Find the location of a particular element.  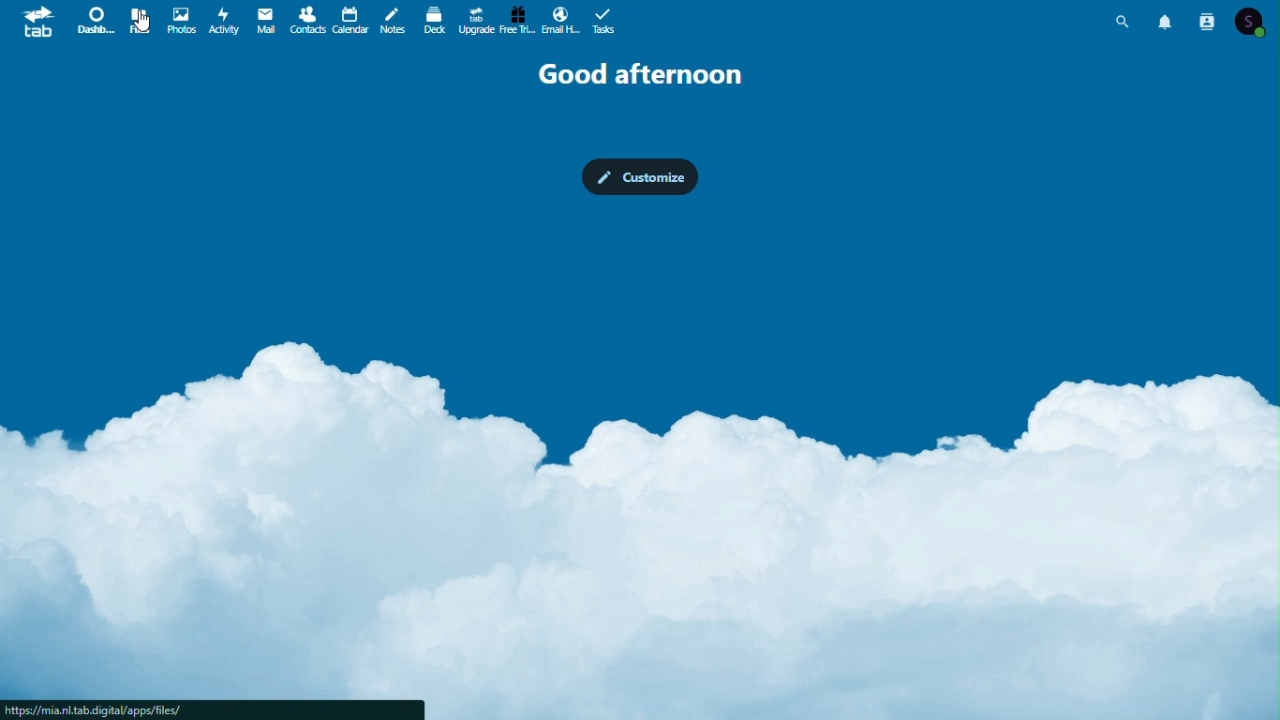

Activity is located at coordinates (225, 21).